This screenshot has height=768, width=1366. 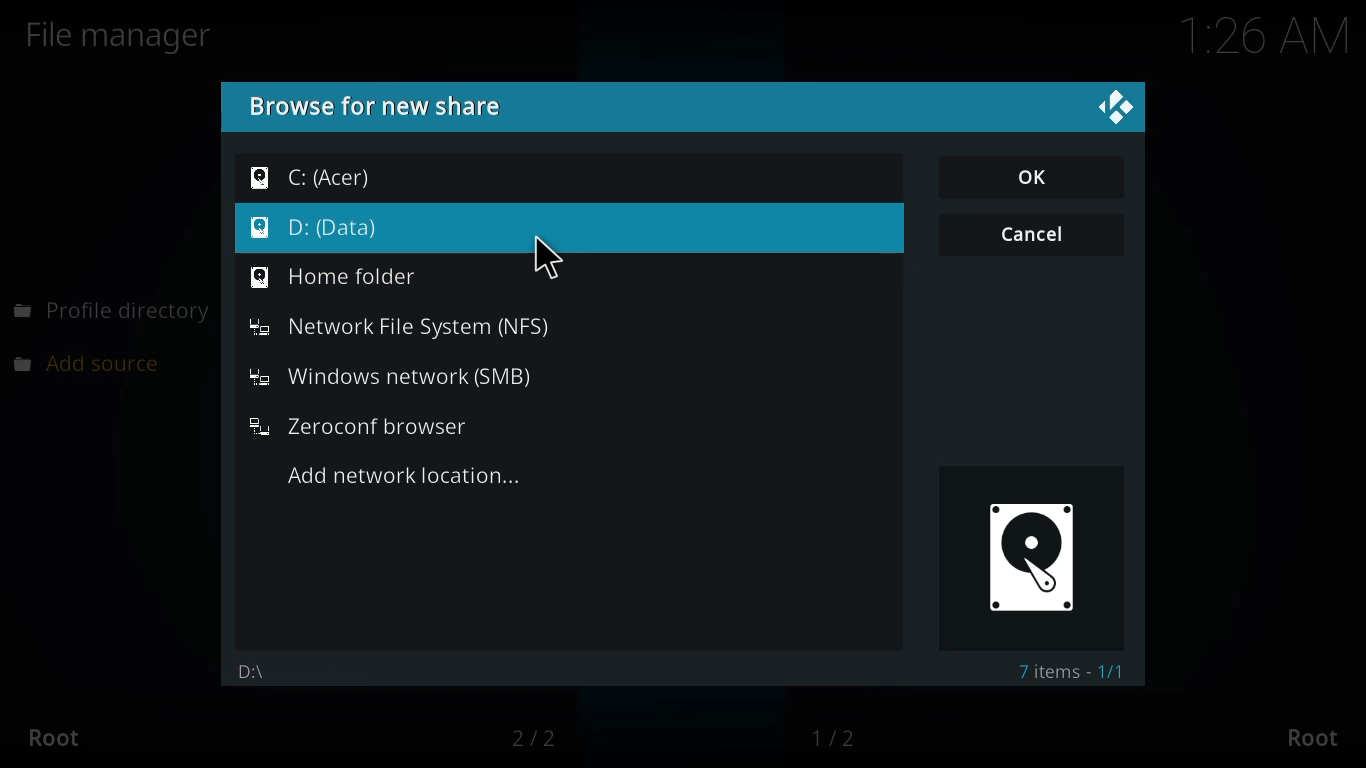 I want to click on close, so click(x=1114, y=107).